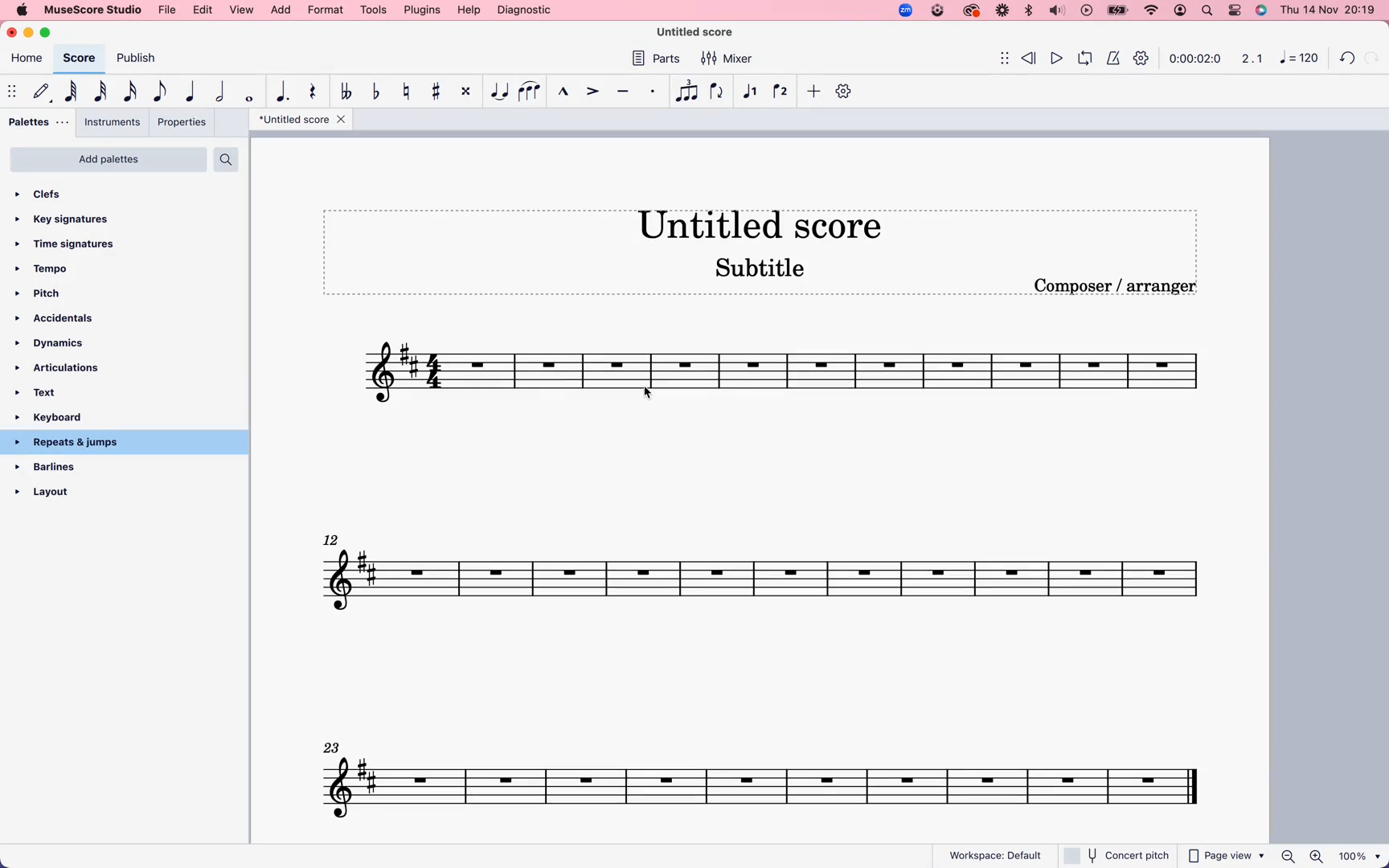  I want to click on concert pitch, so click(1116, 855).